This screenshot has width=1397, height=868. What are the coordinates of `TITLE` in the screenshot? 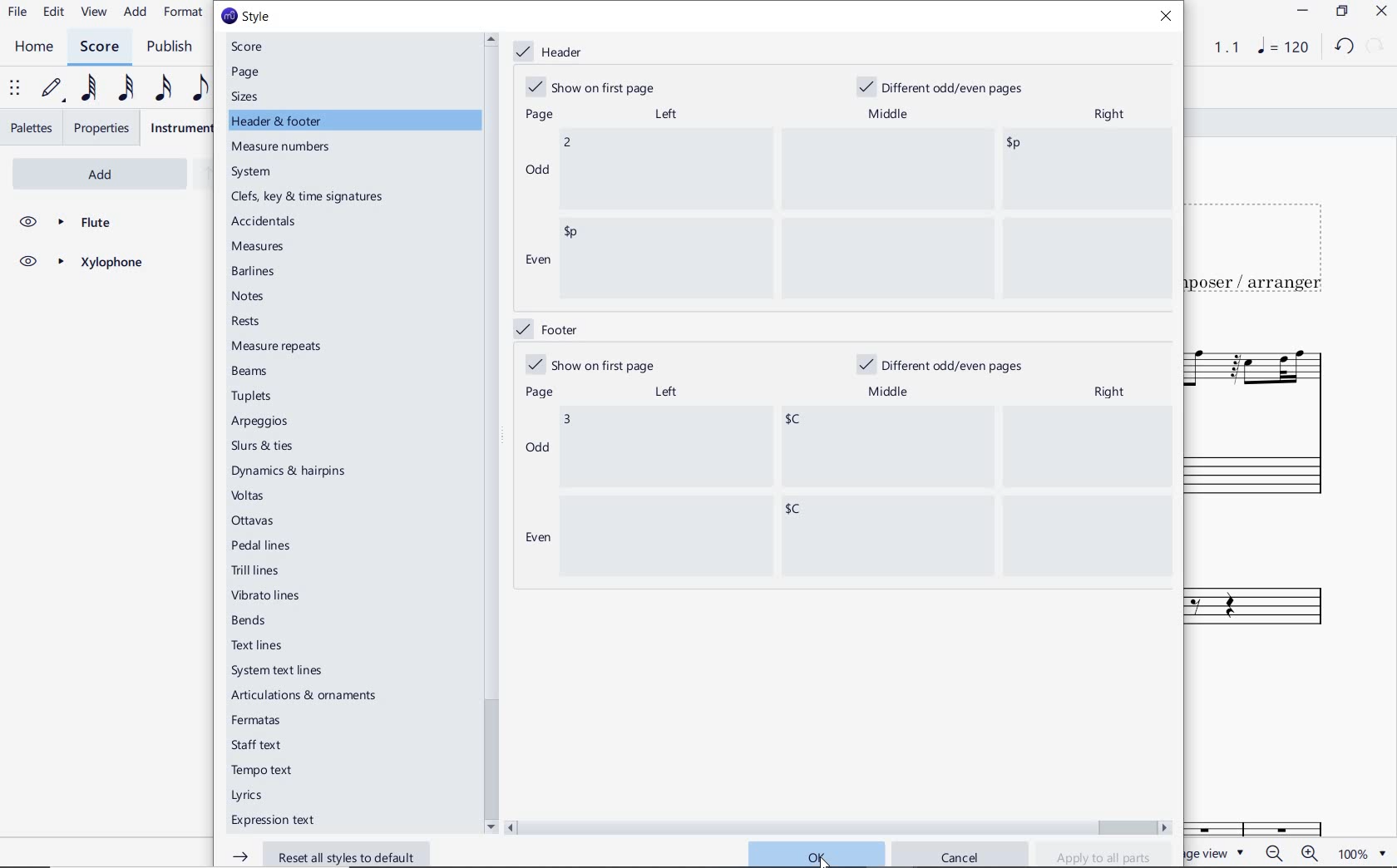 It's located at (1266, 242).